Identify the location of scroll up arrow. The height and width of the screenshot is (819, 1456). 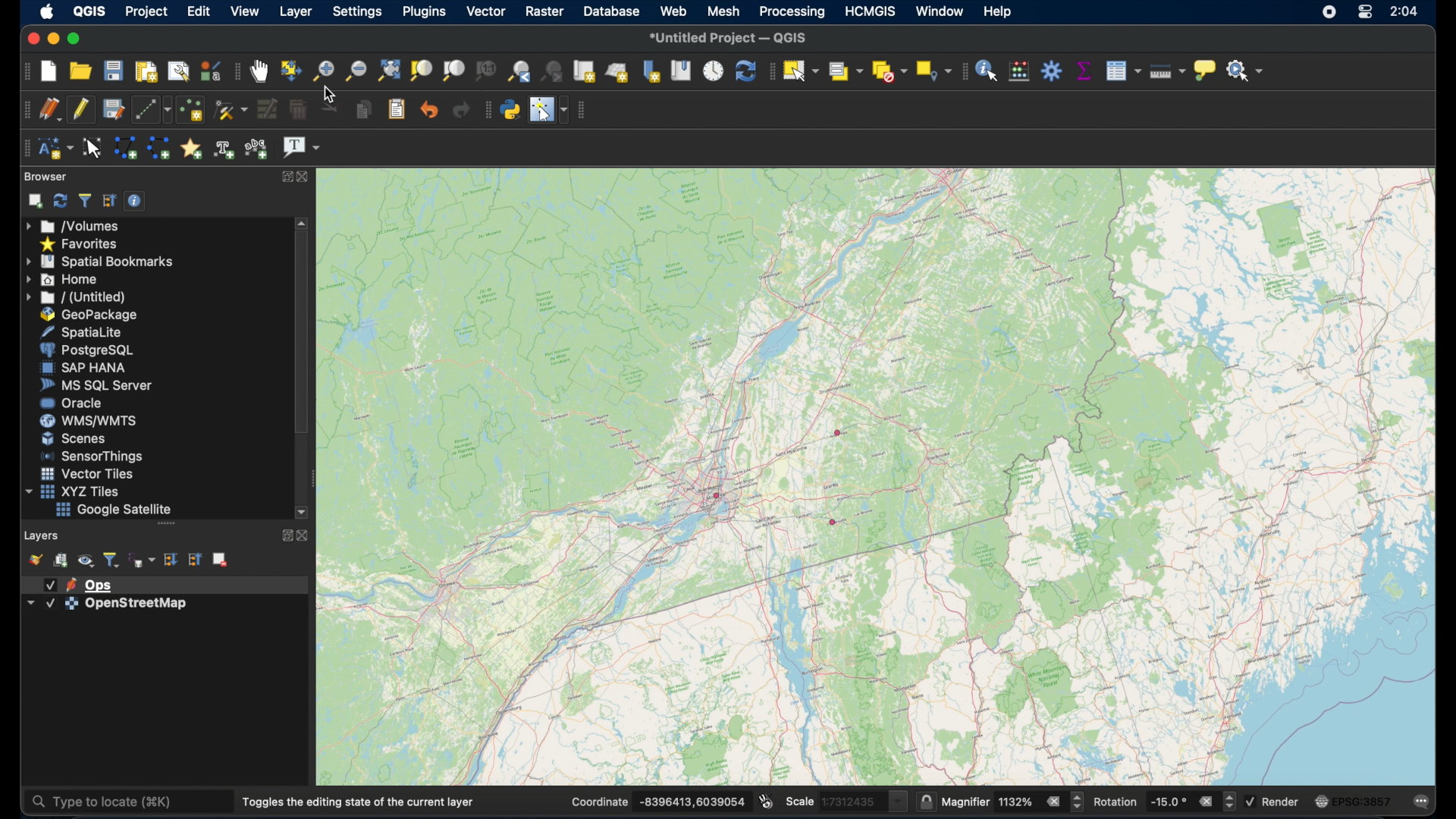
(302, 225).